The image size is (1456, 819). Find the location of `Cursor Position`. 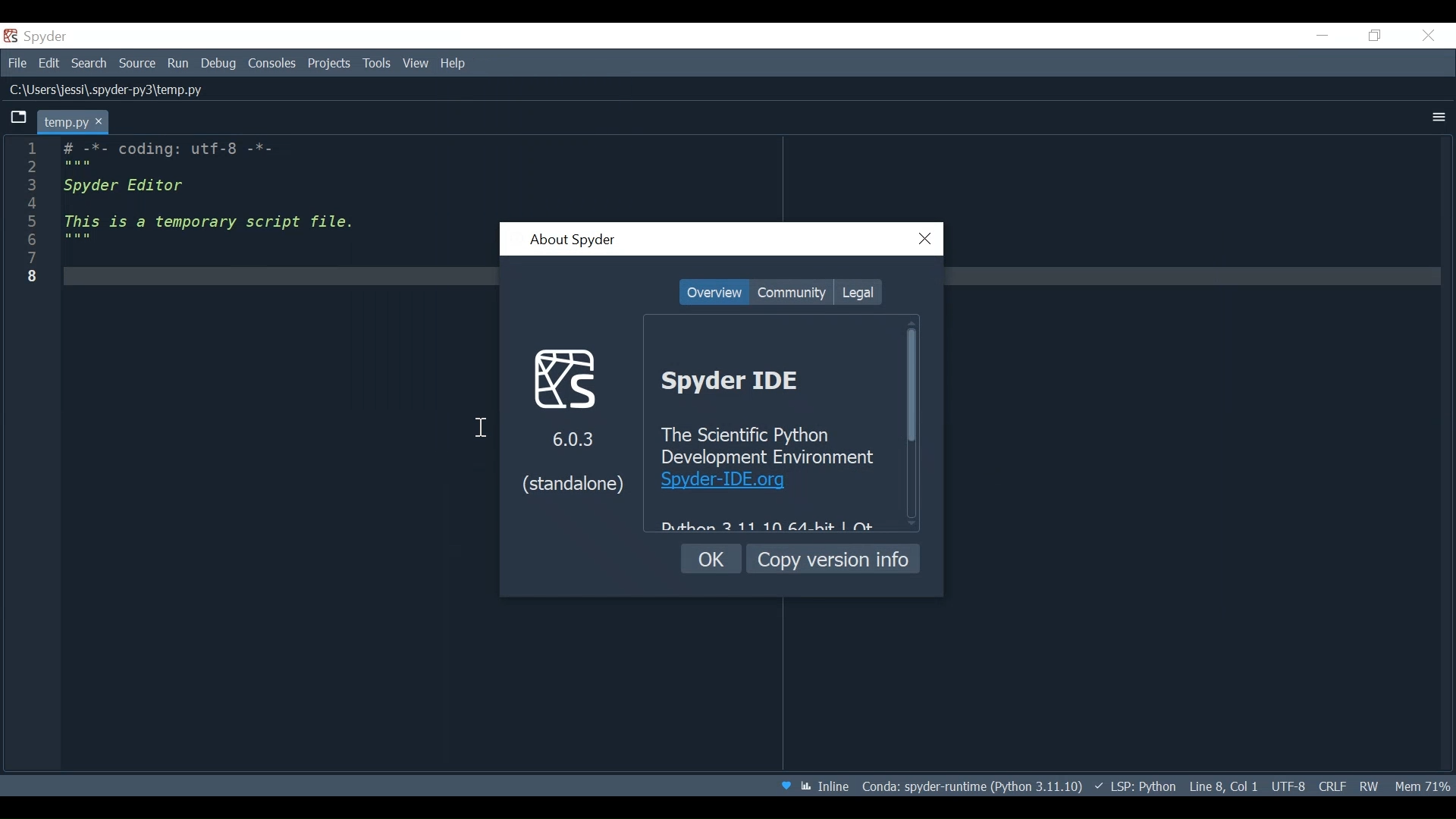

Cursor Position is located at coordinates (1223, 787).